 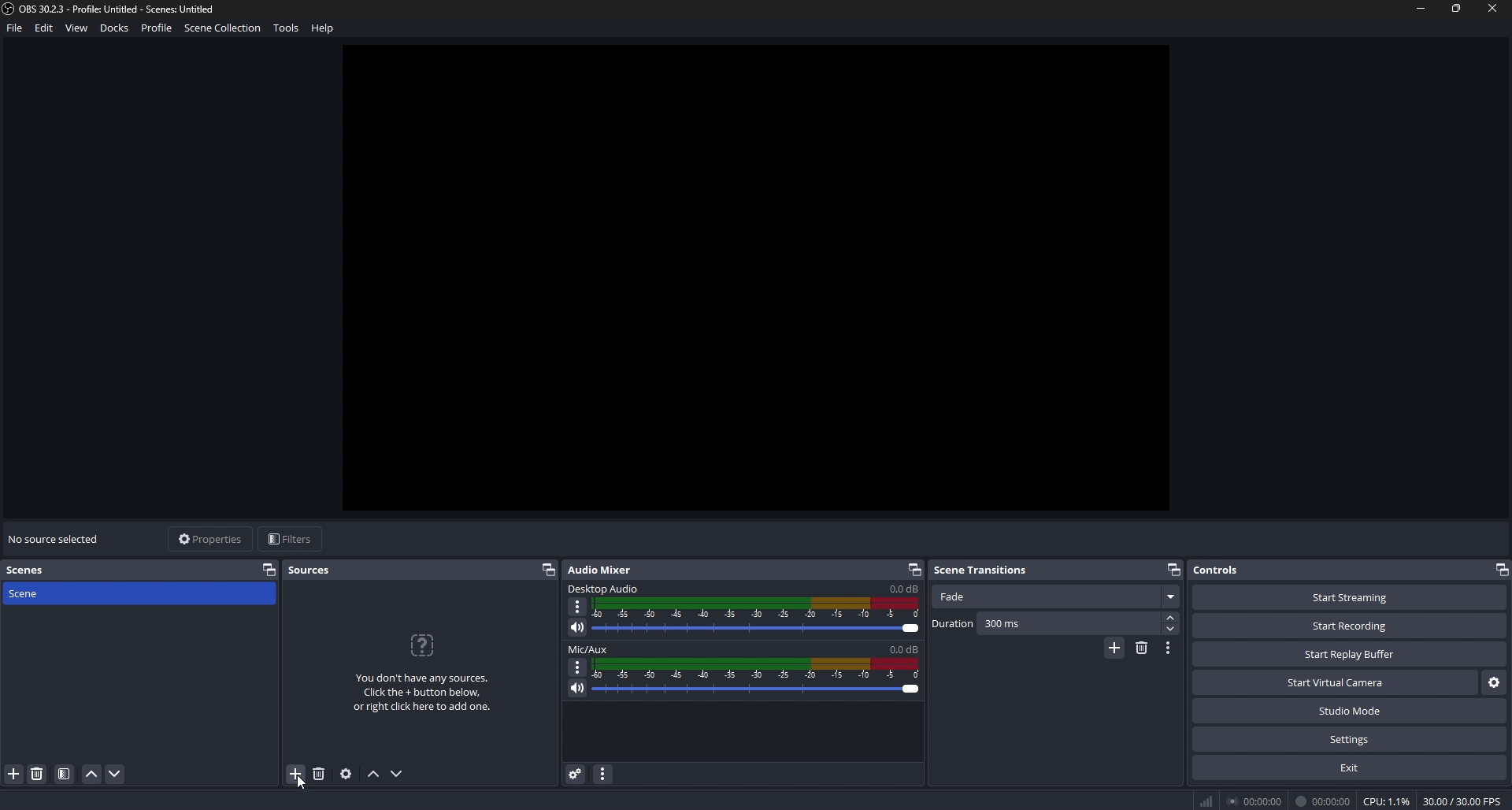 What do you see at coordinates (1171, 629) in the screenshot?
I see `decrease duration` at bounding box center [1171, 629].